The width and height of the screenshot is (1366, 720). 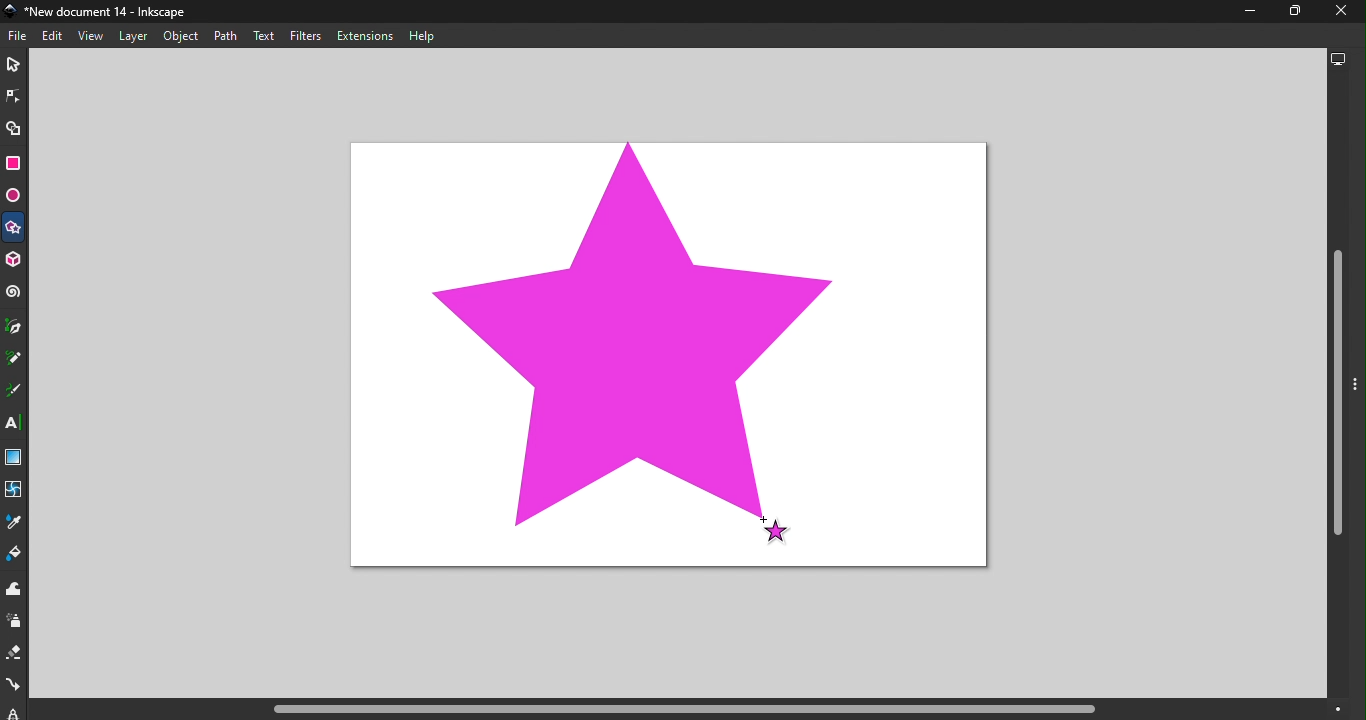 I want to click on Help, so click(x=428, y=34).